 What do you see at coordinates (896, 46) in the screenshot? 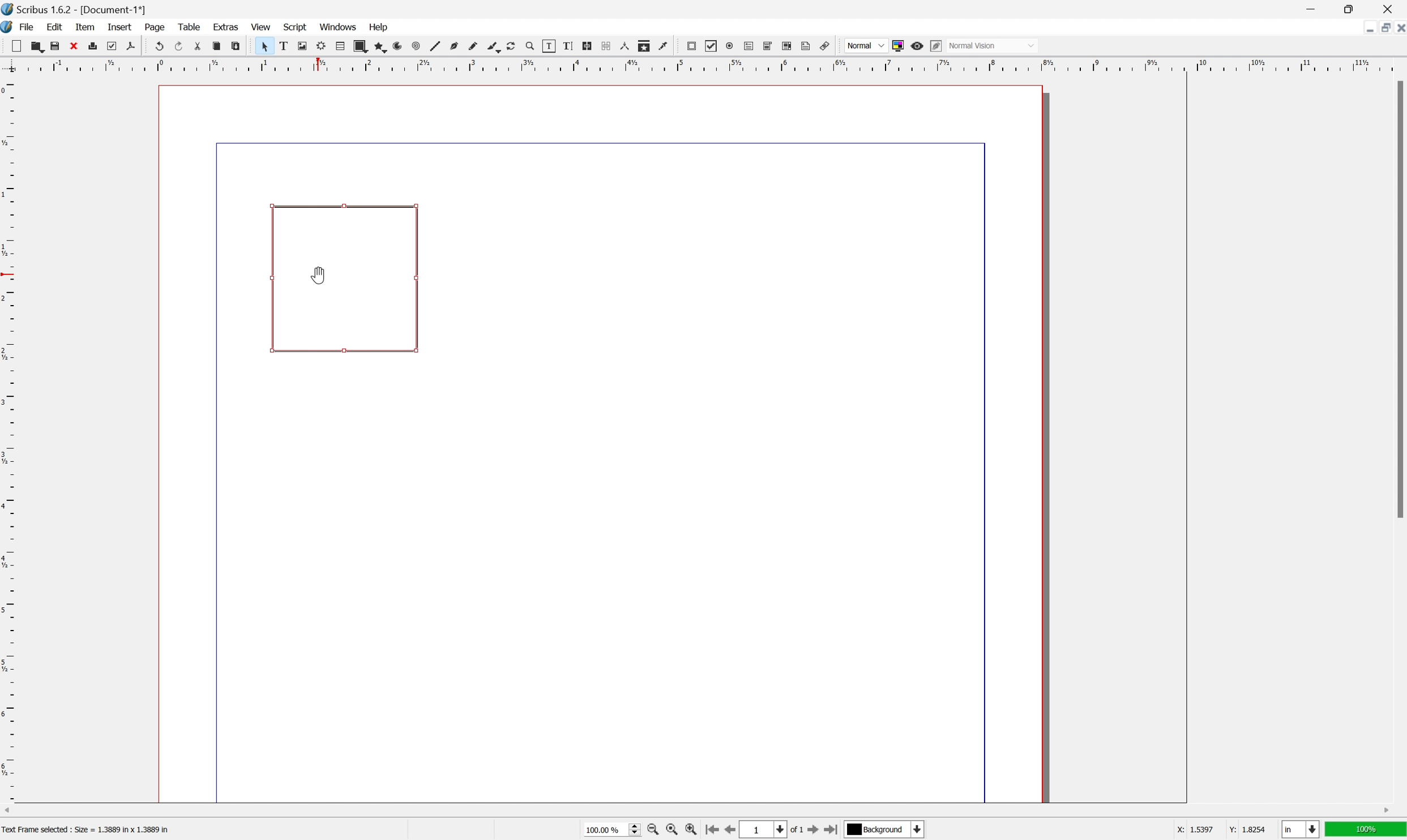
I see `toggle color management system` at bounding box center [896, 46].